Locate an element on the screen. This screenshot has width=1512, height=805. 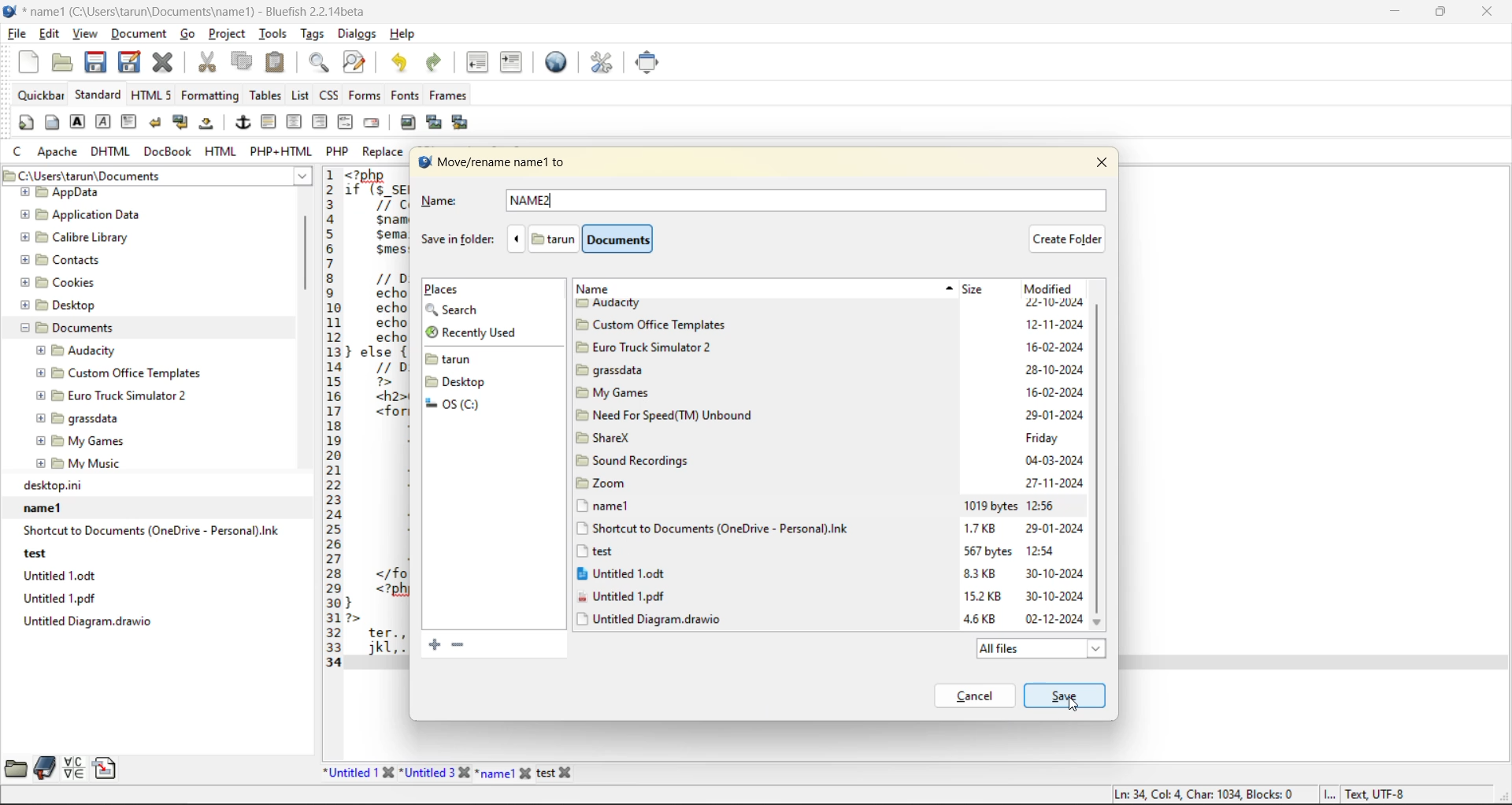
html comment is located at coordinates (346, 123).